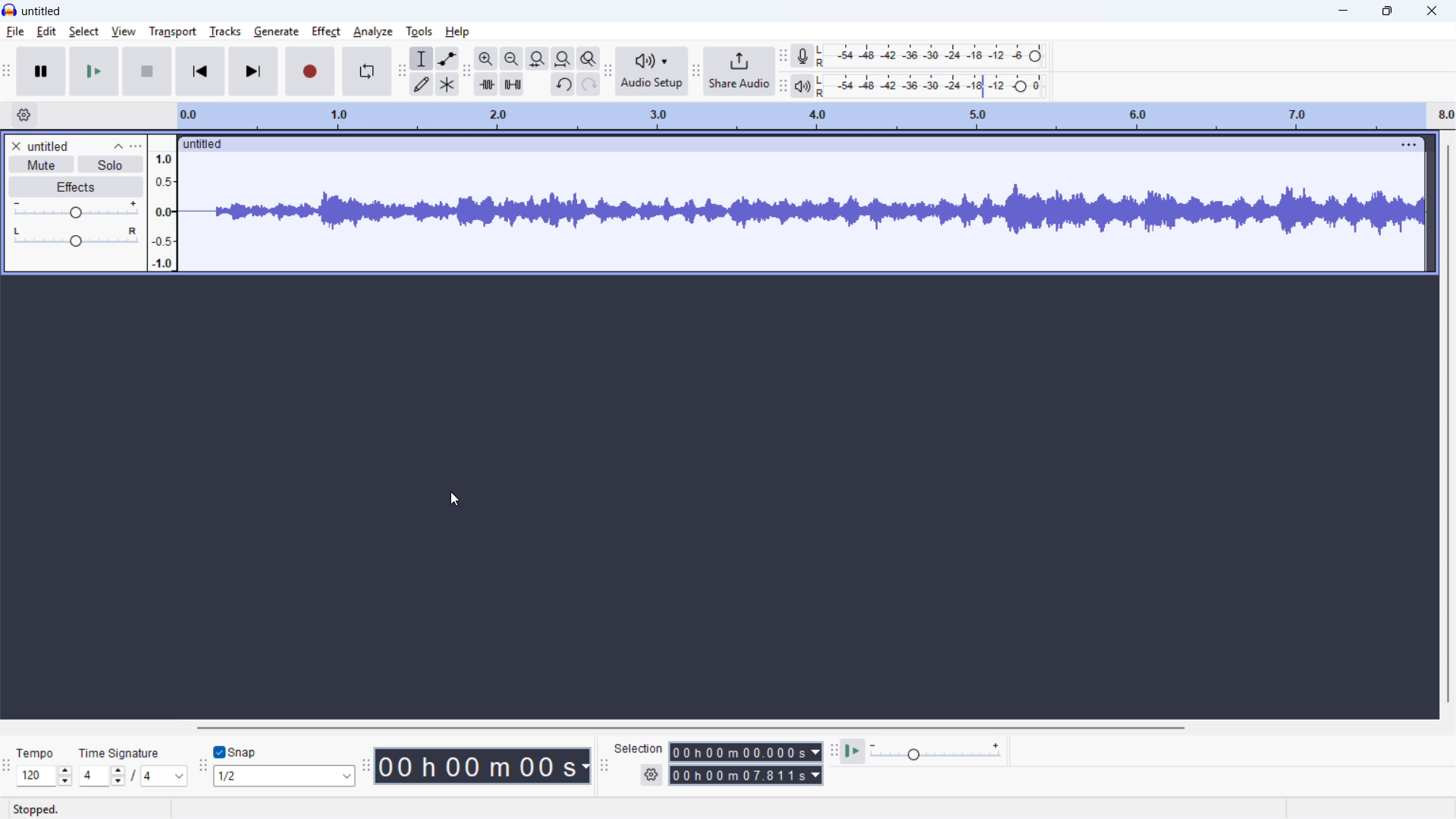 This screenshot has height=819, width=1456. What do you see at coordinates (609, 72) in the screenshot?
I see `audio setup toolbar` at bounding box center [609, 72].